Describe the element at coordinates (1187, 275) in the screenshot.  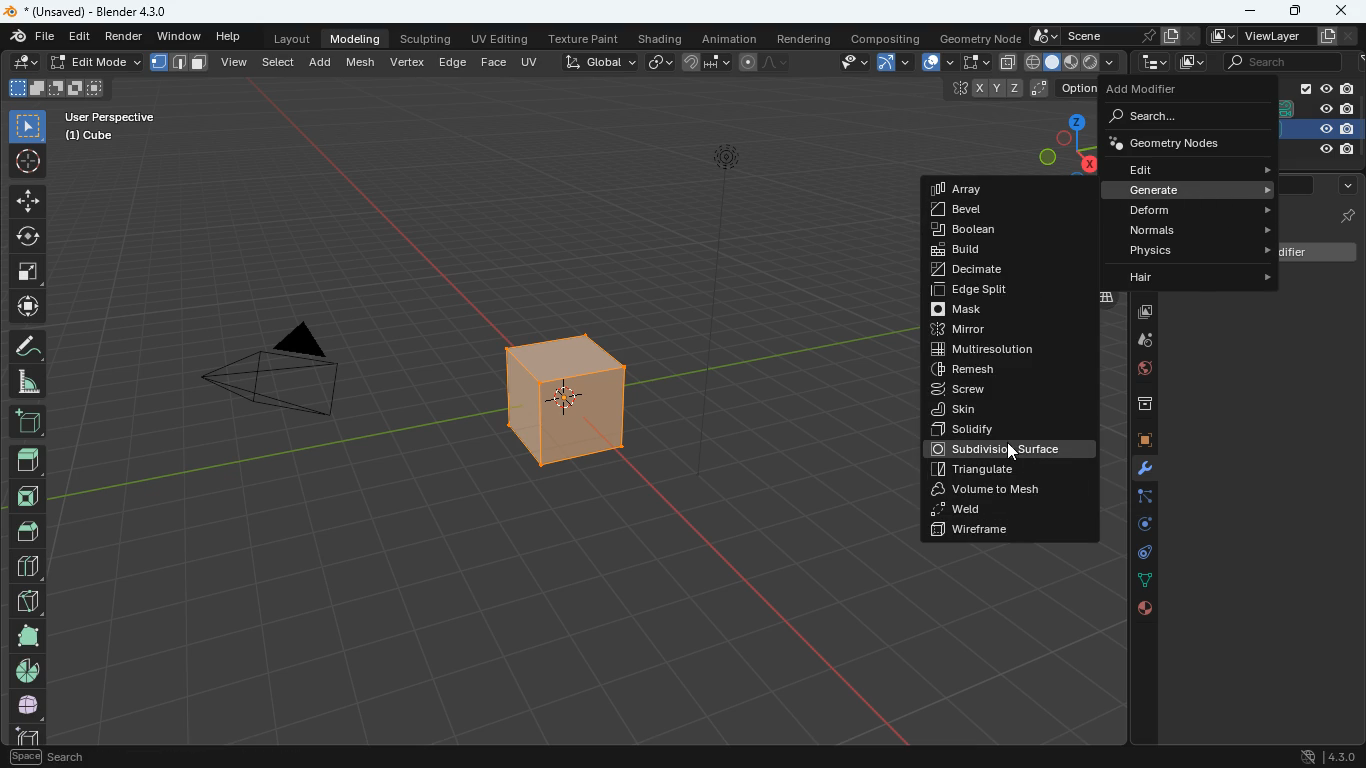
I see `hair` at that location.